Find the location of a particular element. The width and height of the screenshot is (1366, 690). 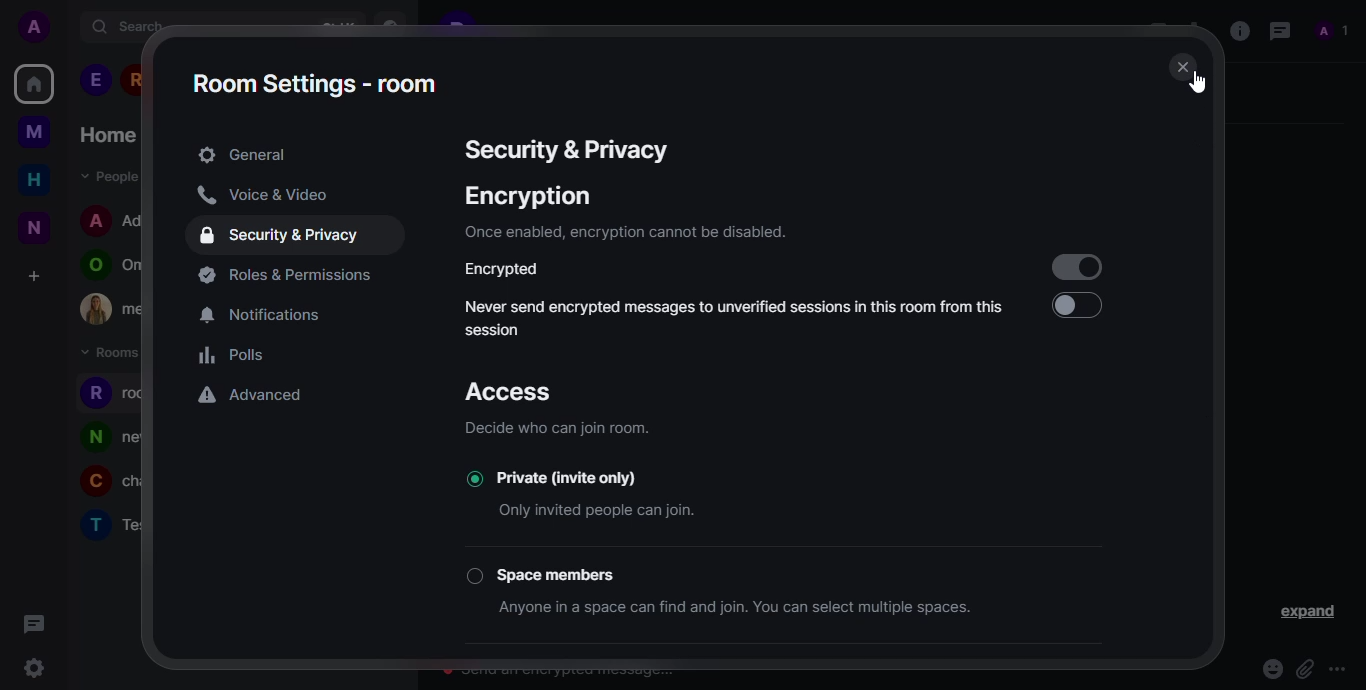

roles is located at coordinates (290, 275).